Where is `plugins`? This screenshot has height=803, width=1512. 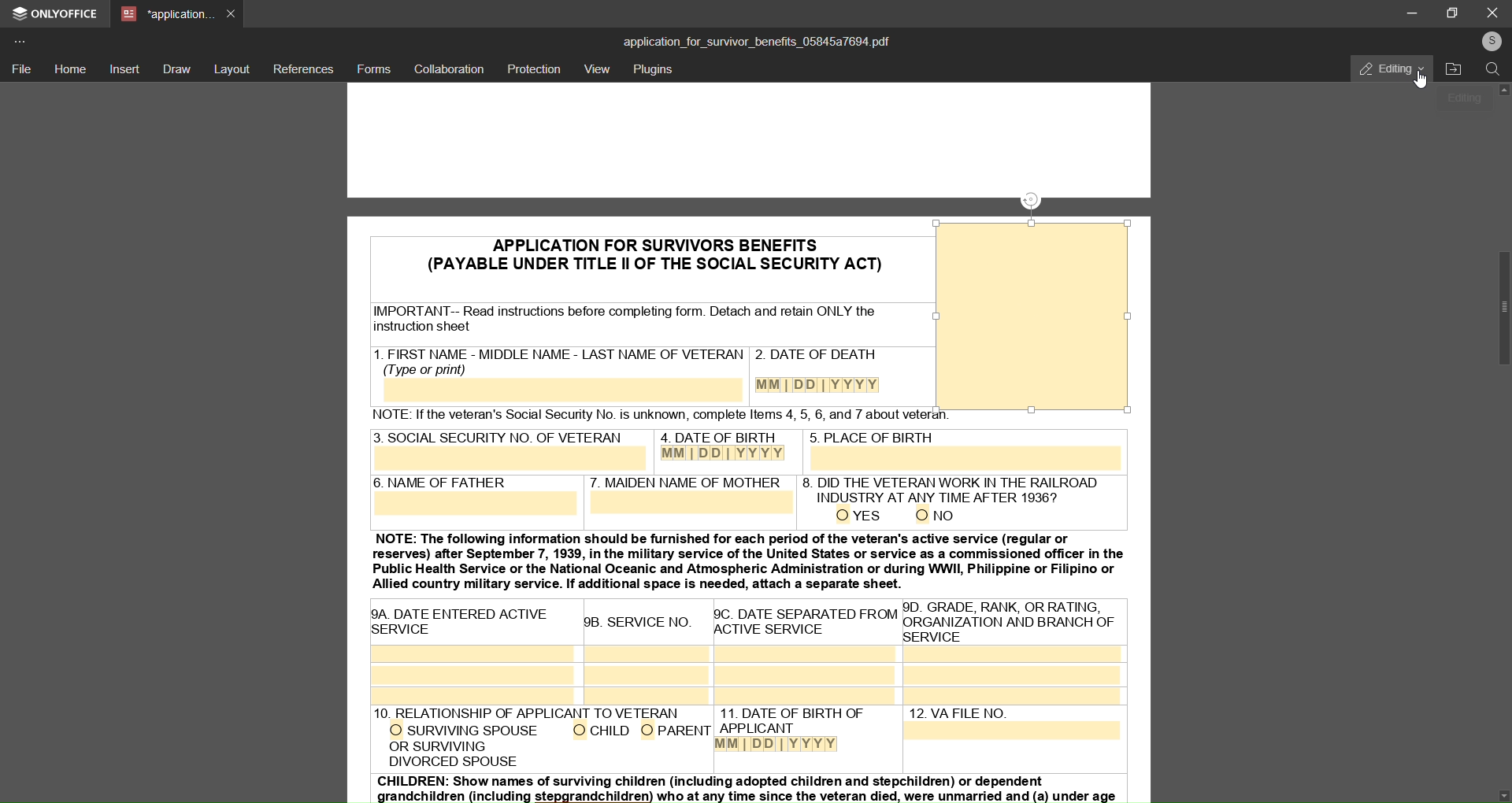
plugins is located at coordinates (655, 71).